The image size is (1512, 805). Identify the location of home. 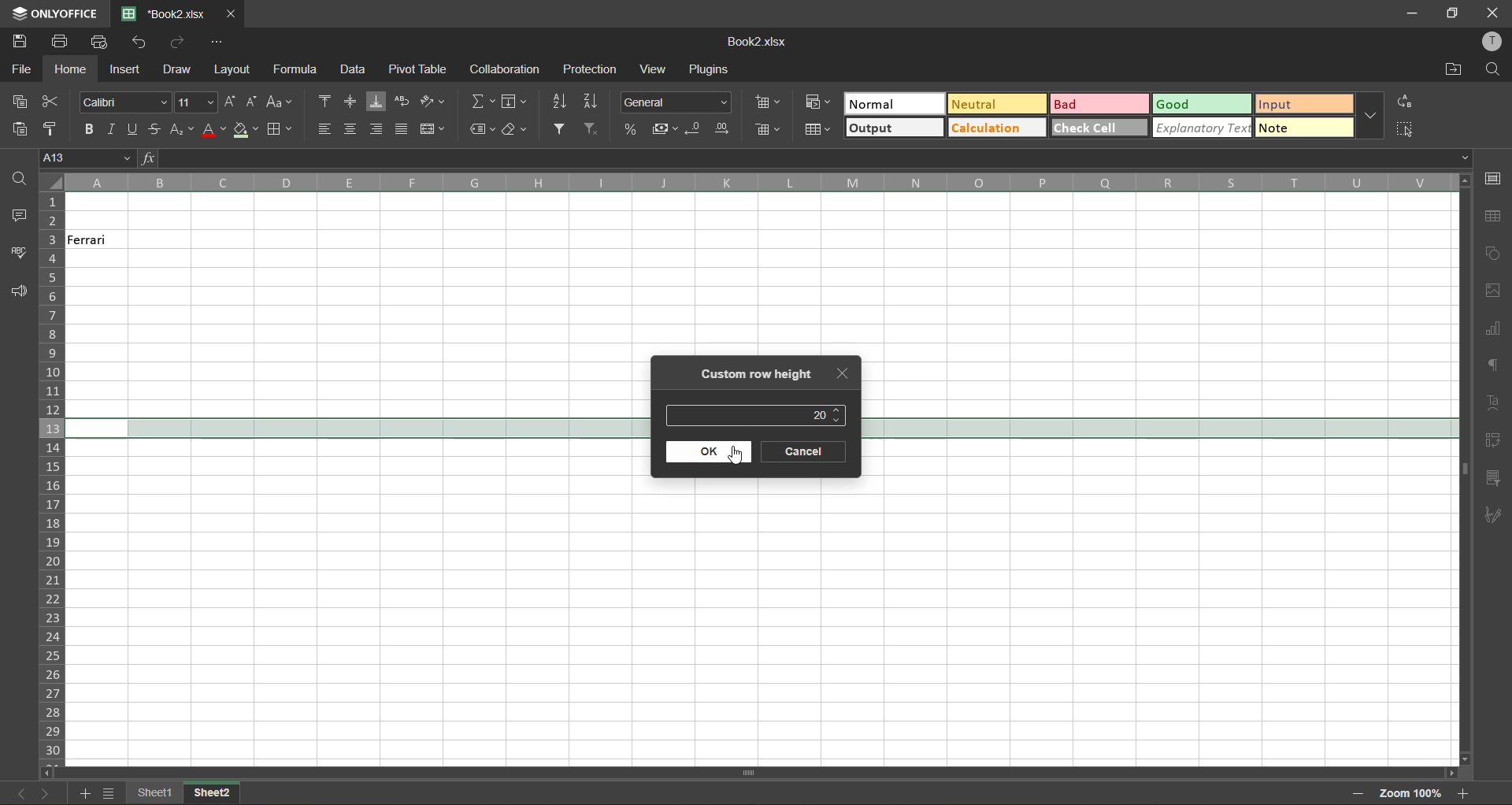
(70, 71).